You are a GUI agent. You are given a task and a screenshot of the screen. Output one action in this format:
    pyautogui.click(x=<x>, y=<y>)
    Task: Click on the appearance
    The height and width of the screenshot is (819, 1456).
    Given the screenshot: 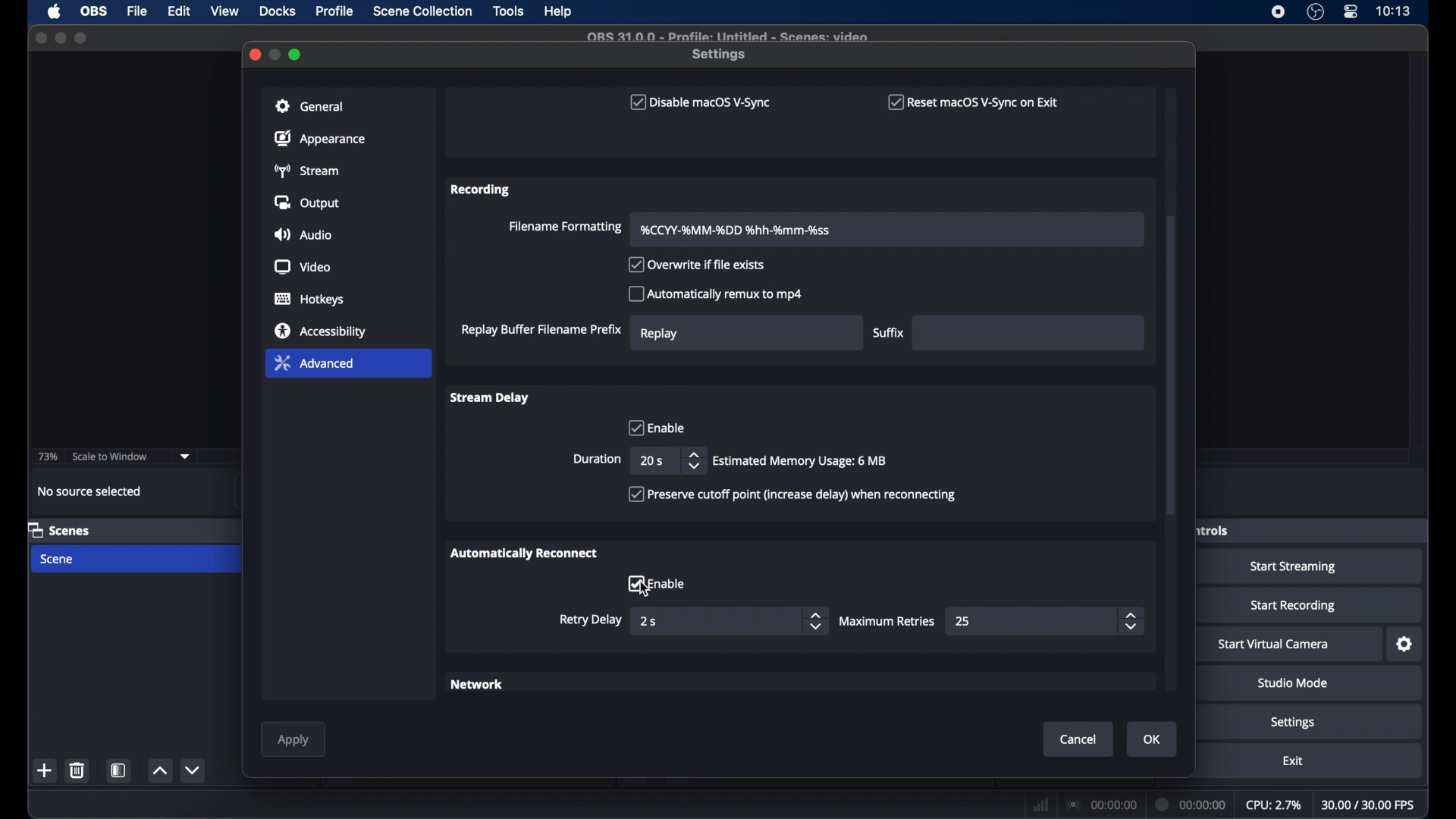 What is the action you would take?
    pyautogui.click(x=320, y=138)
    